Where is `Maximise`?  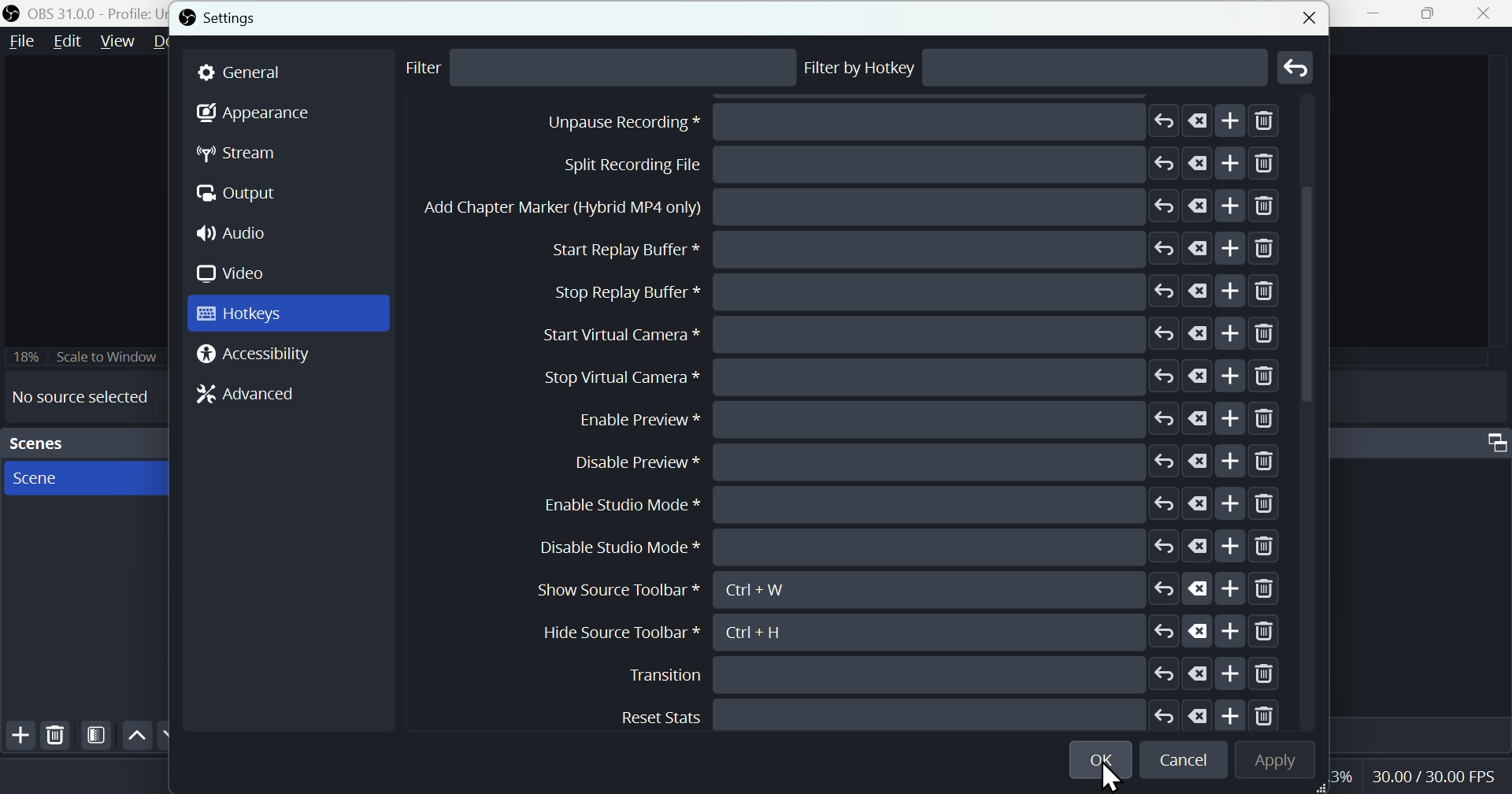 Maximise is located at coordinates (1434, 13).